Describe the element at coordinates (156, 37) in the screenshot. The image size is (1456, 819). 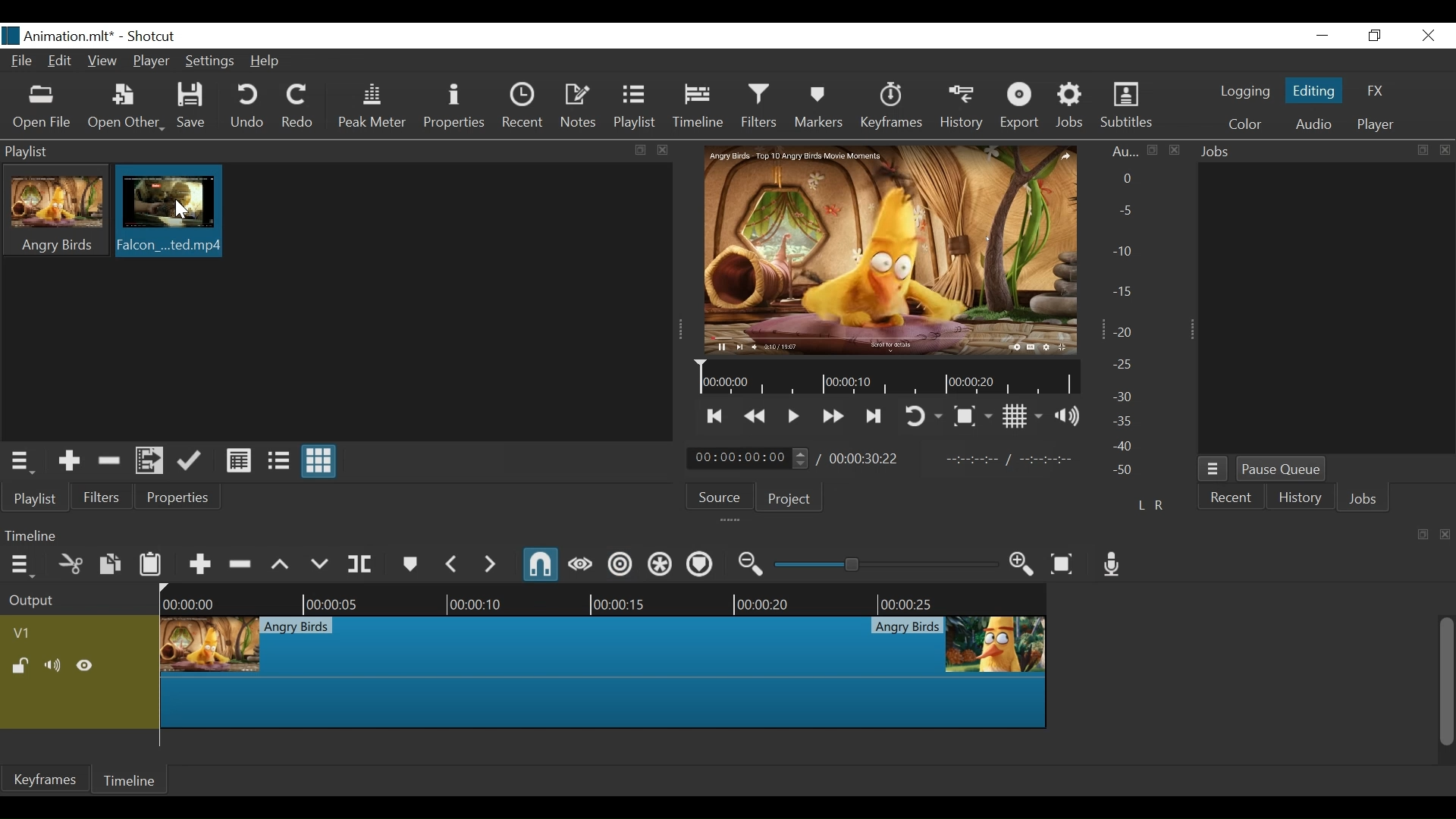
I see `Shotcut` at that location.